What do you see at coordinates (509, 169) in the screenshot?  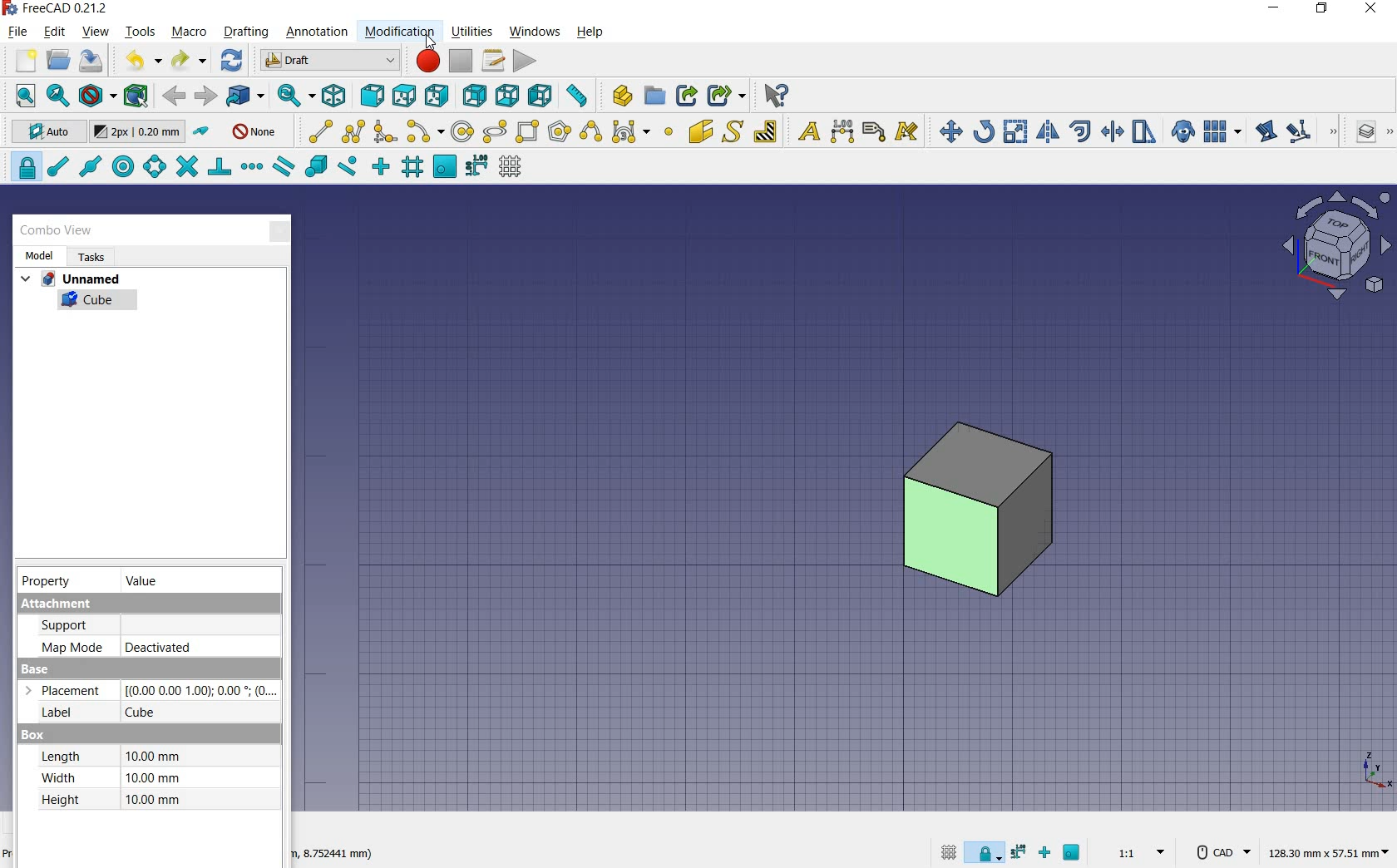 I see `toggle grid` at bounding box center [509, 169].